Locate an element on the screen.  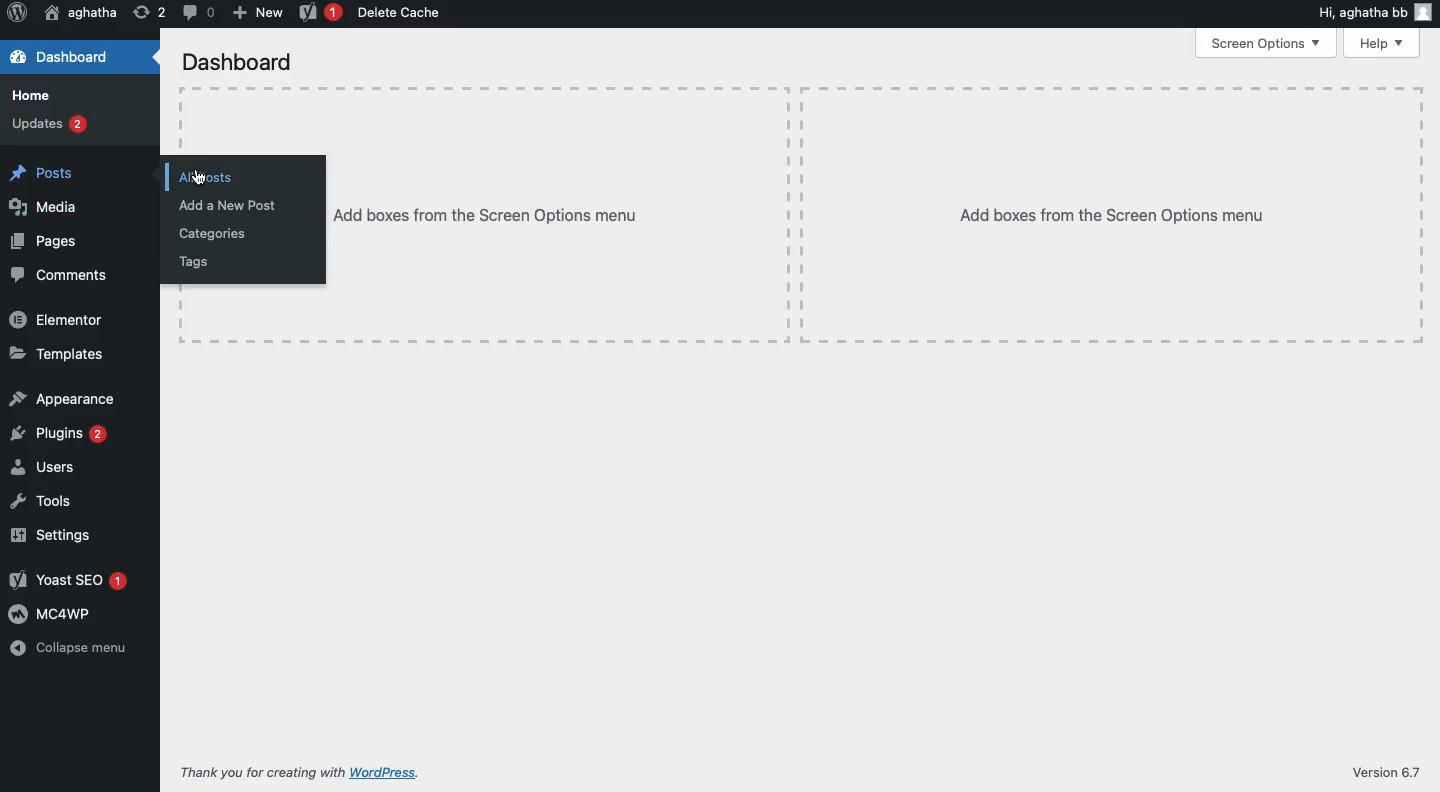
Home aghatha is located at coordinates (80, 13).